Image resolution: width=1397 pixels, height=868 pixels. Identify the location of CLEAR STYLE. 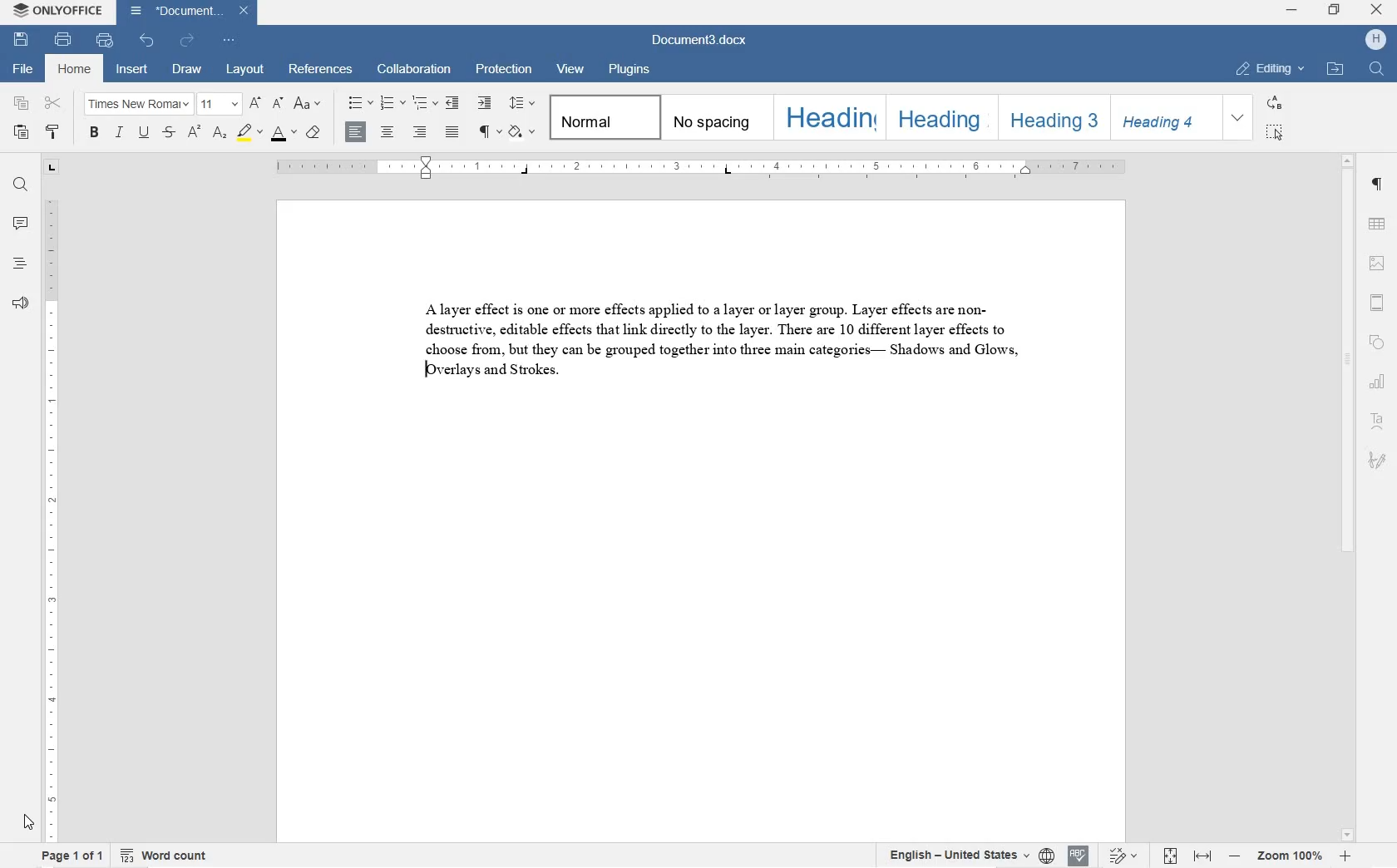
(315, 131).